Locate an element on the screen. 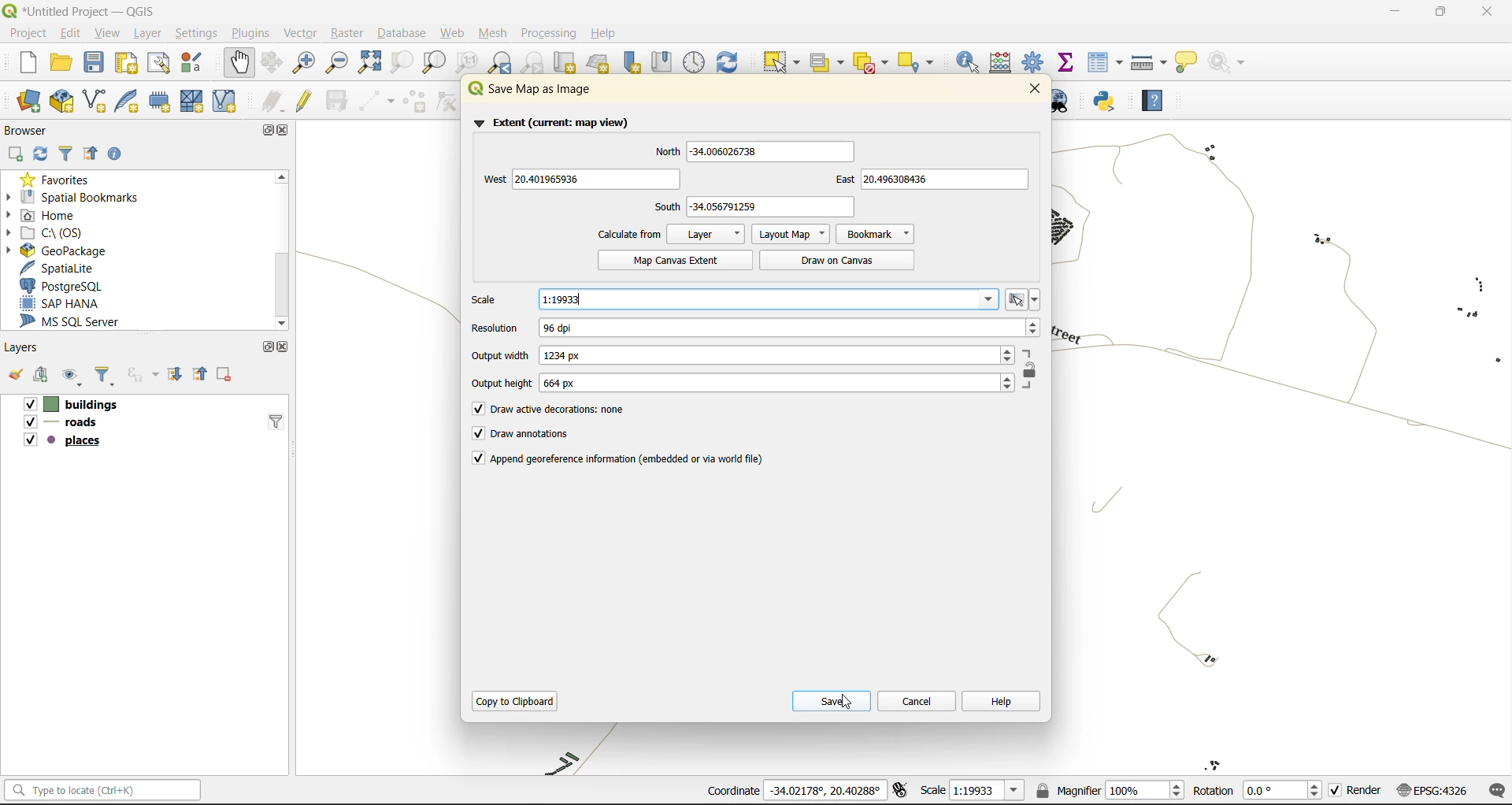 The image size is (1512, 805). save map as image is located at coordinates (550, 91).